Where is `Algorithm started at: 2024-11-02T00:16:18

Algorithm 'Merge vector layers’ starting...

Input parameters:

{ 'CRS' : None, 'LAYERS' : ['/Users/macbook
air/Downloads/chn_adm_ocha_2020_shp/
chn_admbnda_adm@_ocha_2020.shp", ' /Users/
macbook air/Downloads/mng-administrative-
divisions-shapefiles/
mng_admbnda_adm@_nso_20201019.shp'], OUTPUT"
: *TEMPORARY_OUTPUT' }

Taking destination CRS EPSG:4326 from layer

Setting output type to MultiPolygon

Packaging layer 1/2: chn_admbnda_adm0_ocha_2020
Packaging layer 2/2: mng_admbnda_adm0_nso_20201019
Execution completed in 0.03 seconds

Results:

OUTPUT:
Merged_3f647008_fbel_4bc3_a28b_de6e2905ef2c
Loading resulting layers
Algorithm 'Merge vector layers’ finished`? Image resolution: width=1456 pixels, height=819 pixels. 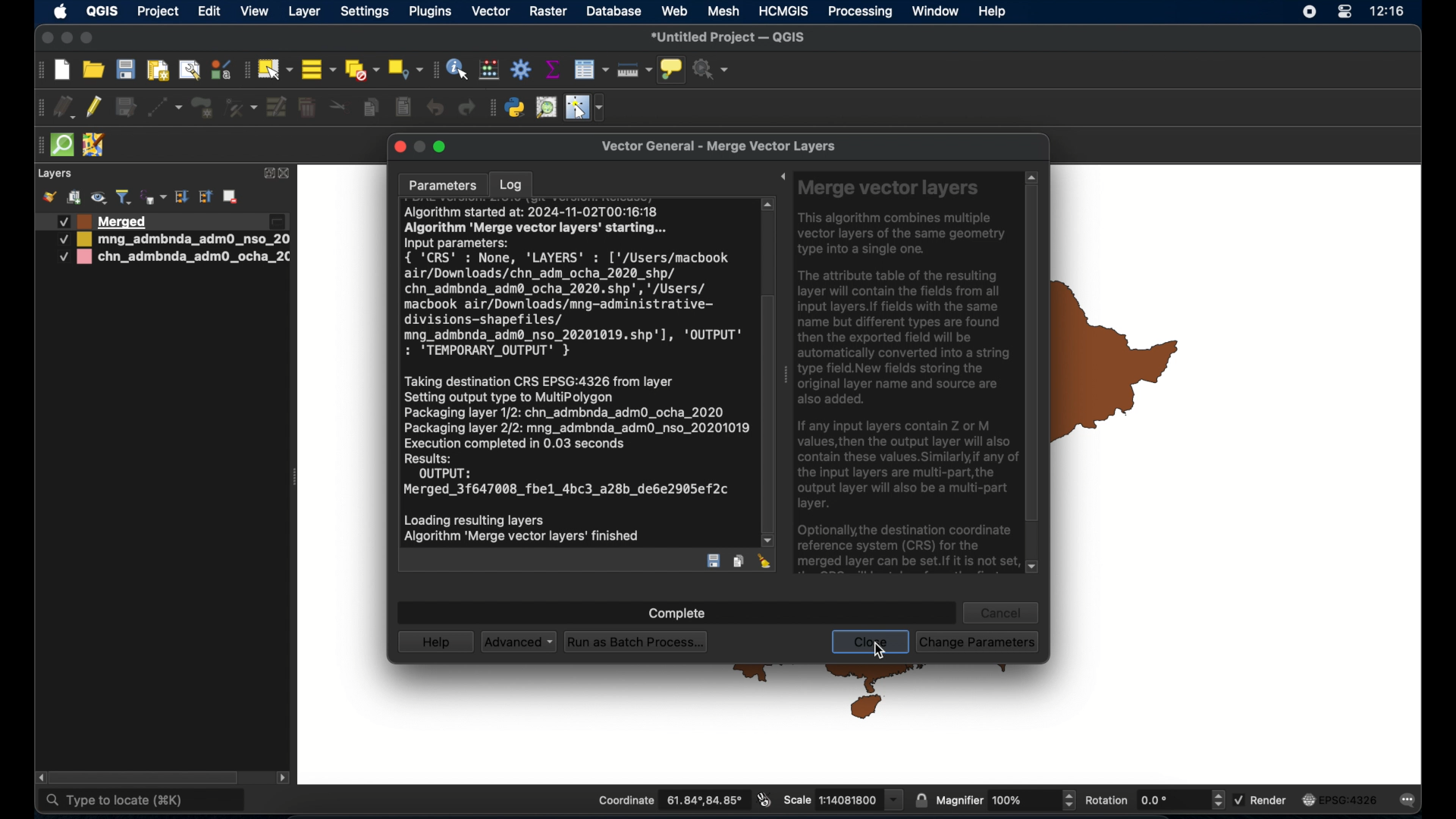
Algorithm started at: 2024-11-02T00:16:18

Algorithm 'Merge vector layers’ starting...

Input parameters:

{ 'CRS' : None, 'LAYERS' : ['/Users/macbook
air/Downloads/chn_adm_ocha_2020_shp/
chn_admbnda_adm@_ocha_2020.shp", ' /Users/
macbook air/Downloads/mng-administrative-
divisions-shapefiles/
mng_admbnda_adm@_nso_20201019.shp'], OUTPUT"
: *TEMPORARY_OUTPUT' }

Taking destination CRS EPSG:4326 from layer

Setting output type to MultiPolygon

Packaging layer 1/2: chn_admbnda_adm0_ocha_2020
Packaging layer 2/2: mng_admbnda_adm0_nso_20201019
Execution completed in 0.03 seconds

Results:

OUTPUT:
Merged_3f647008_fbel_4bc3_a28b_de6e2905ef2c
Loading resulting layers
Algorithm 'Merge vector layers’ finished is located at coordinates (576, 377).